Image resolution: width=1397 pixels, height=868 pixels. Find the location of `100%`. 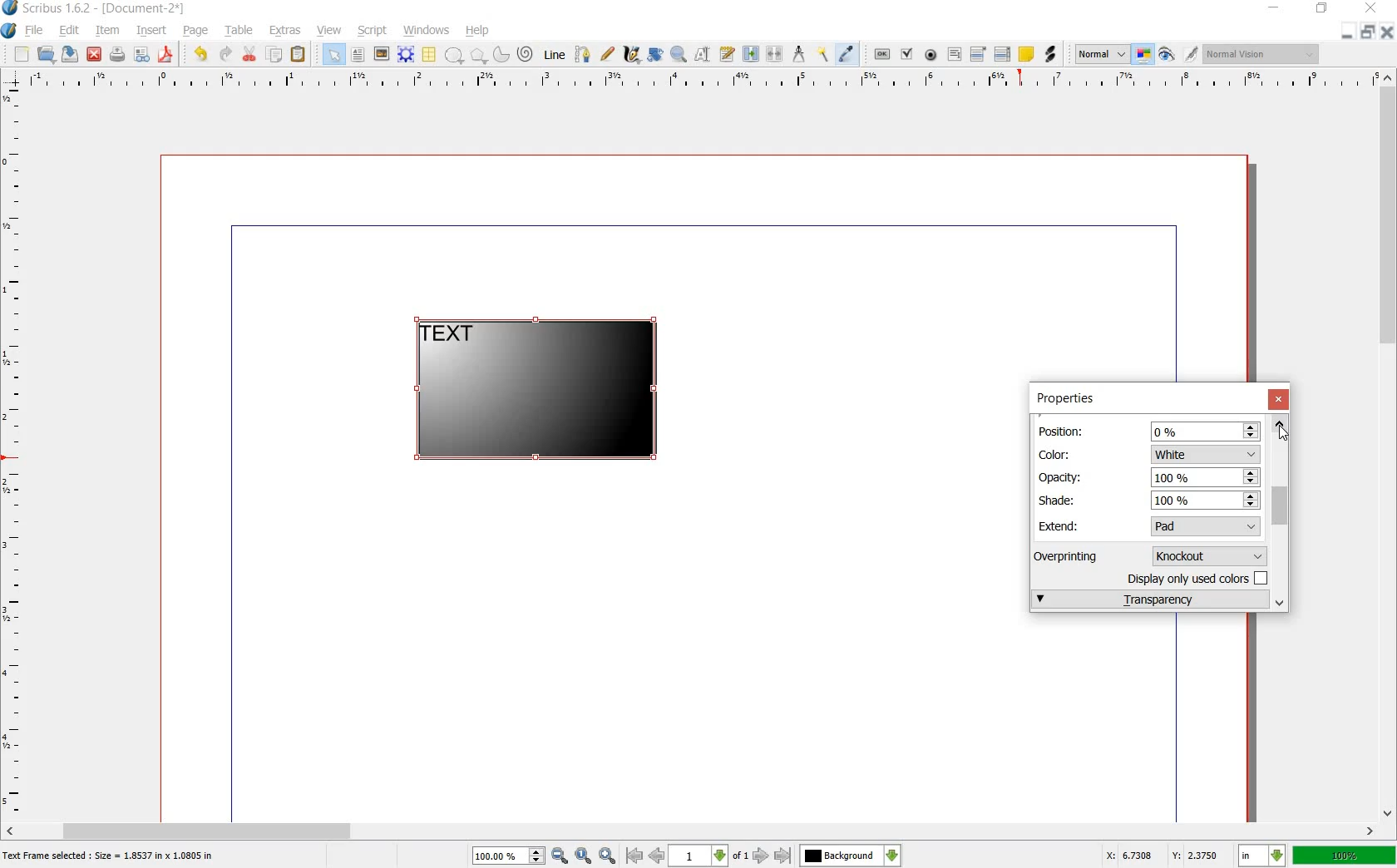

100% is located at coordinates (1205, 478).